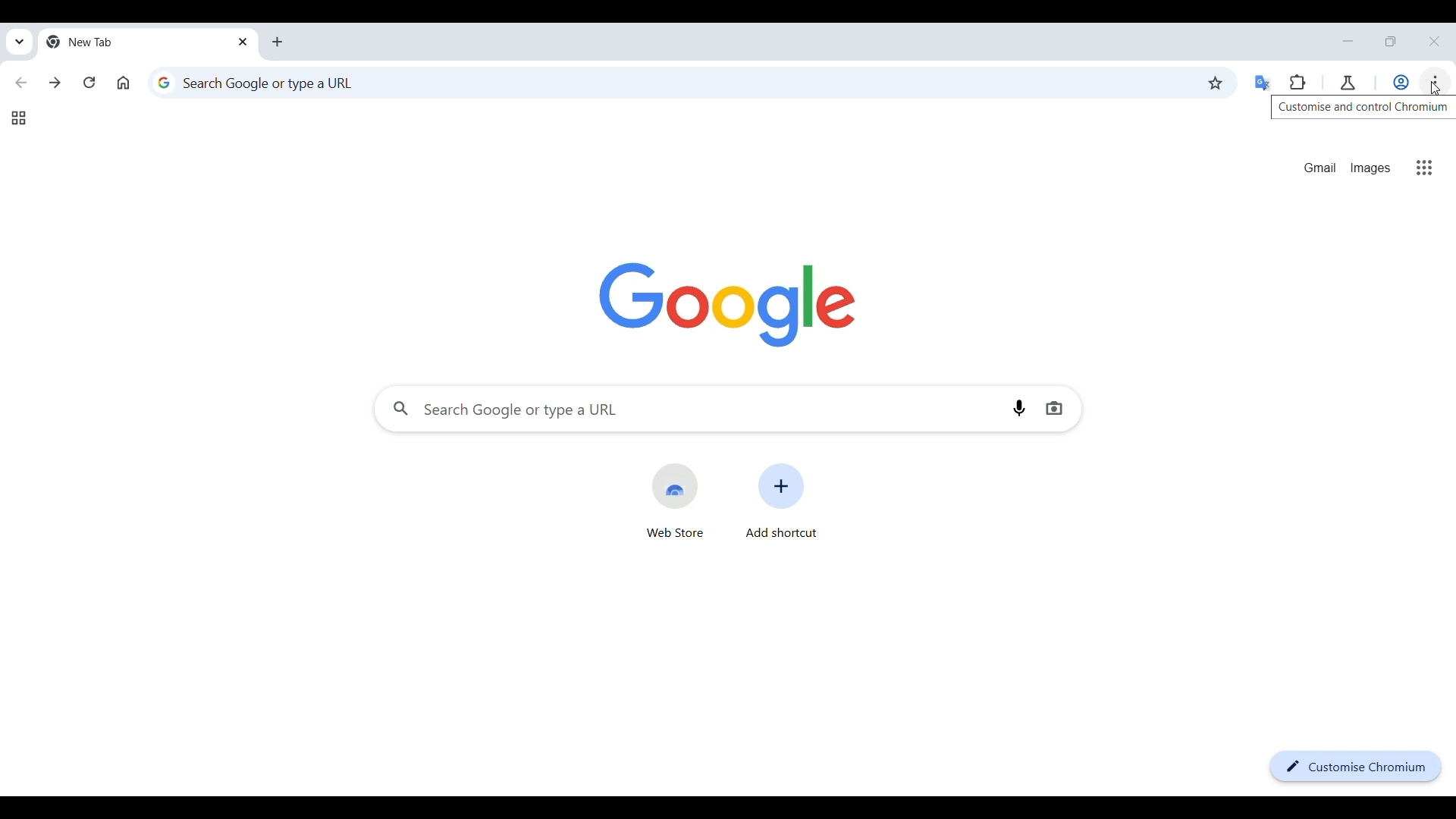 This screenshot has width=1456, height=819. What do you see at coordinates (18, 118) in the screenshot?
I see `Tab groups` at bounding box center [18, 118].